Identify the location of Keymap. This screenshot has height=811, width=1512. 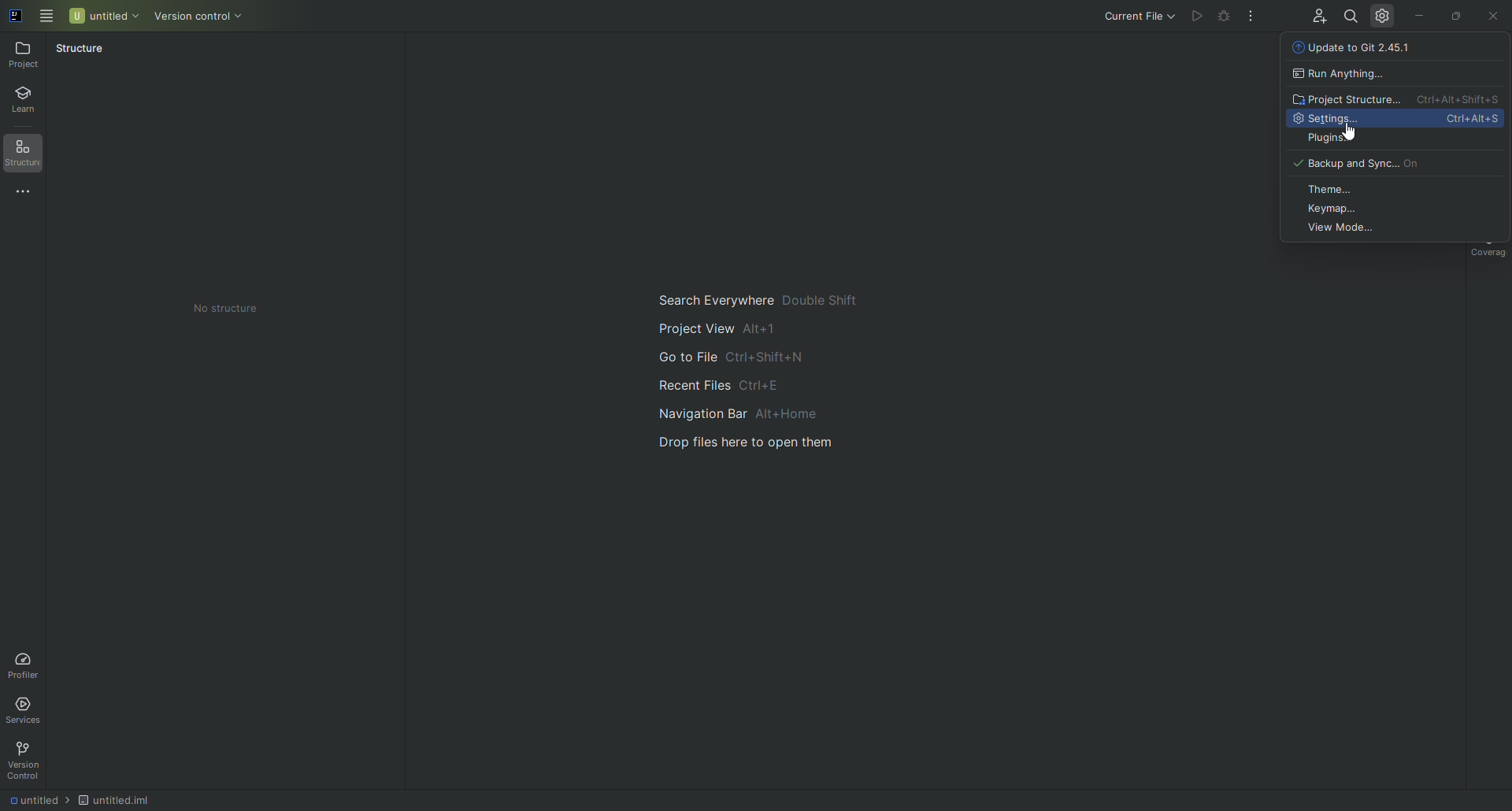
(1374, 209).